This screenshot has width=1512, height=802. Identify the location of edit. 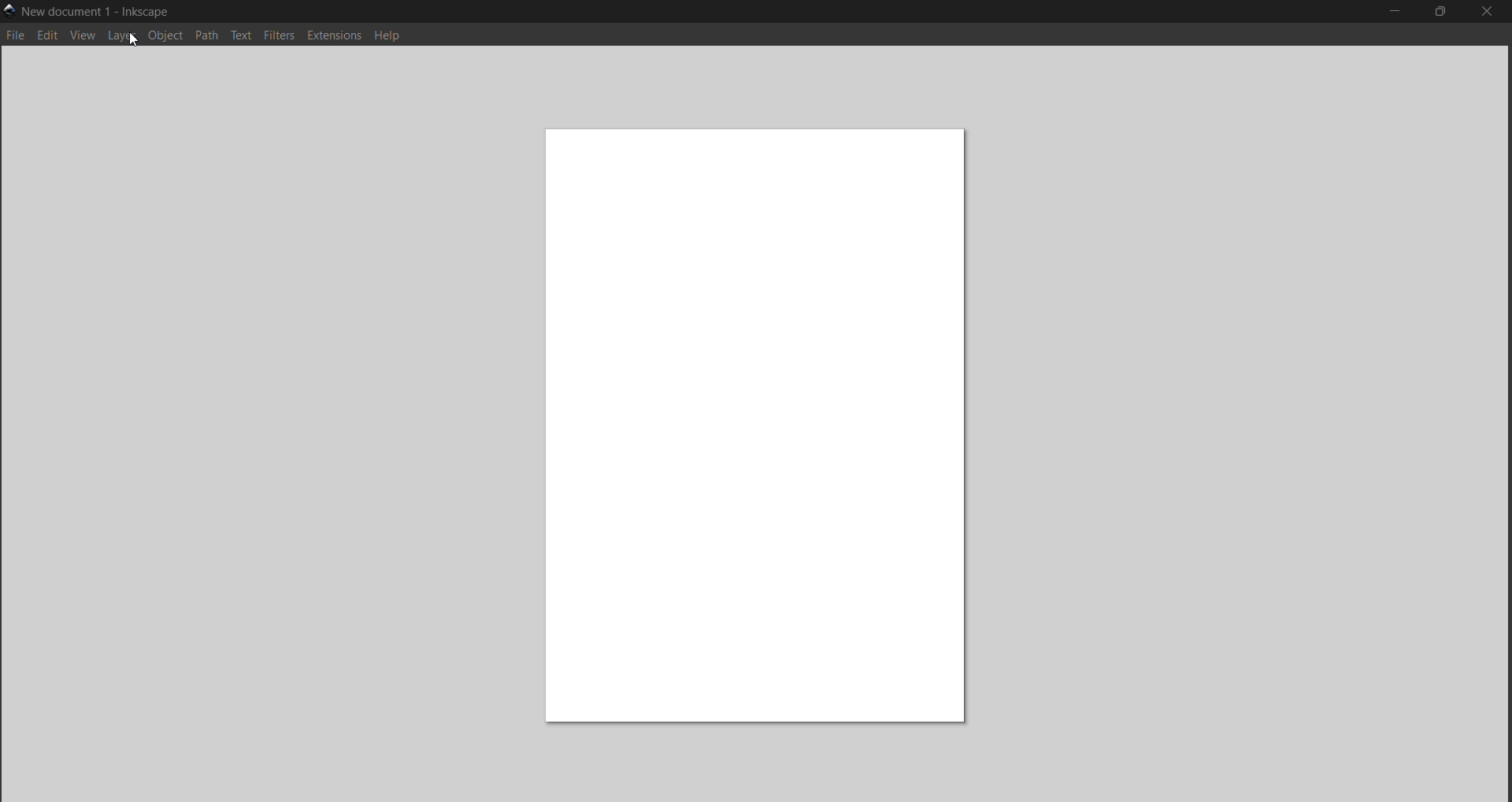
(46, 36).